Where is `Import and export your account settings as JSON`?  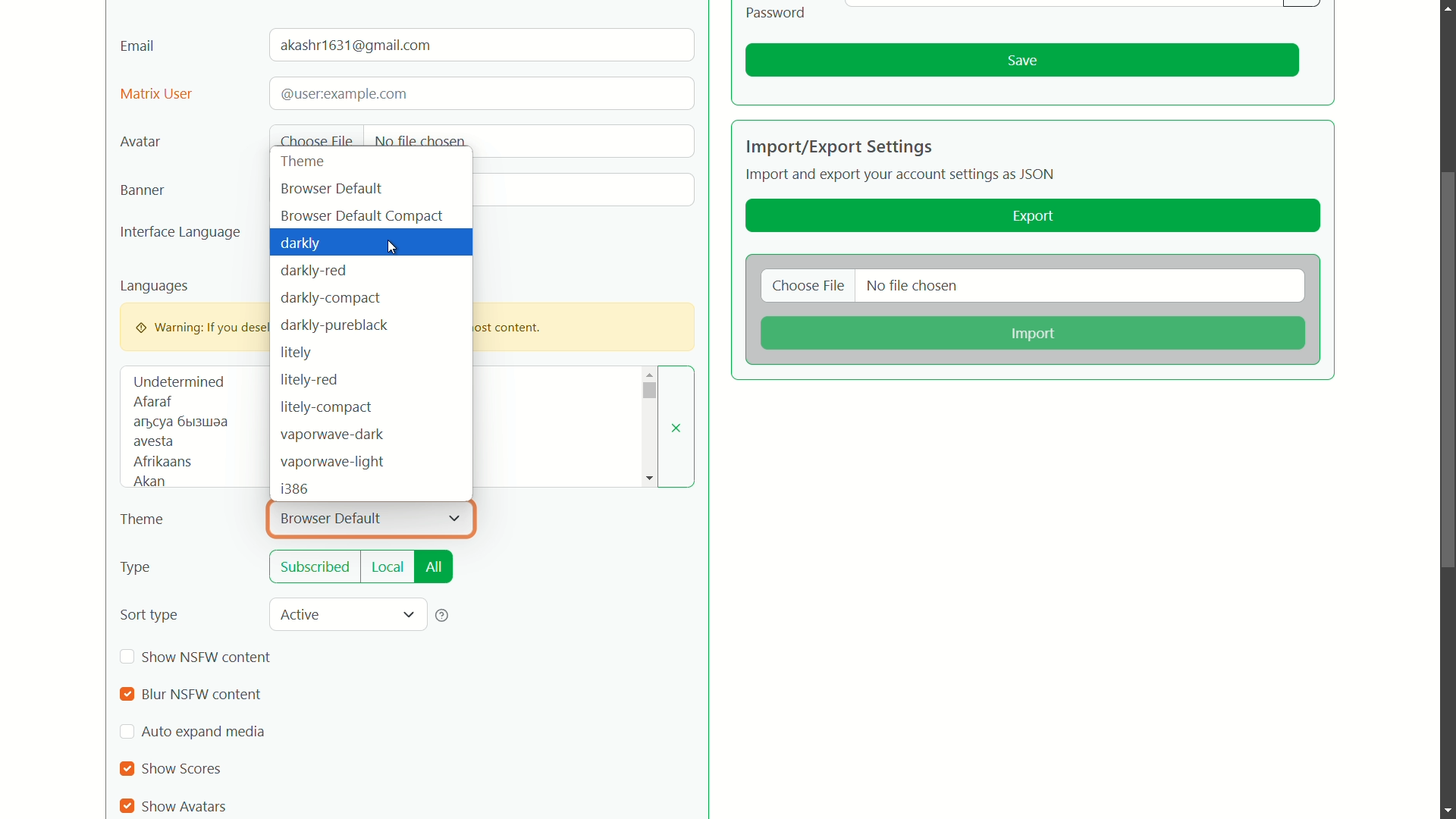 Import and export your account settings as JSON is located at coordinates (903, 177).